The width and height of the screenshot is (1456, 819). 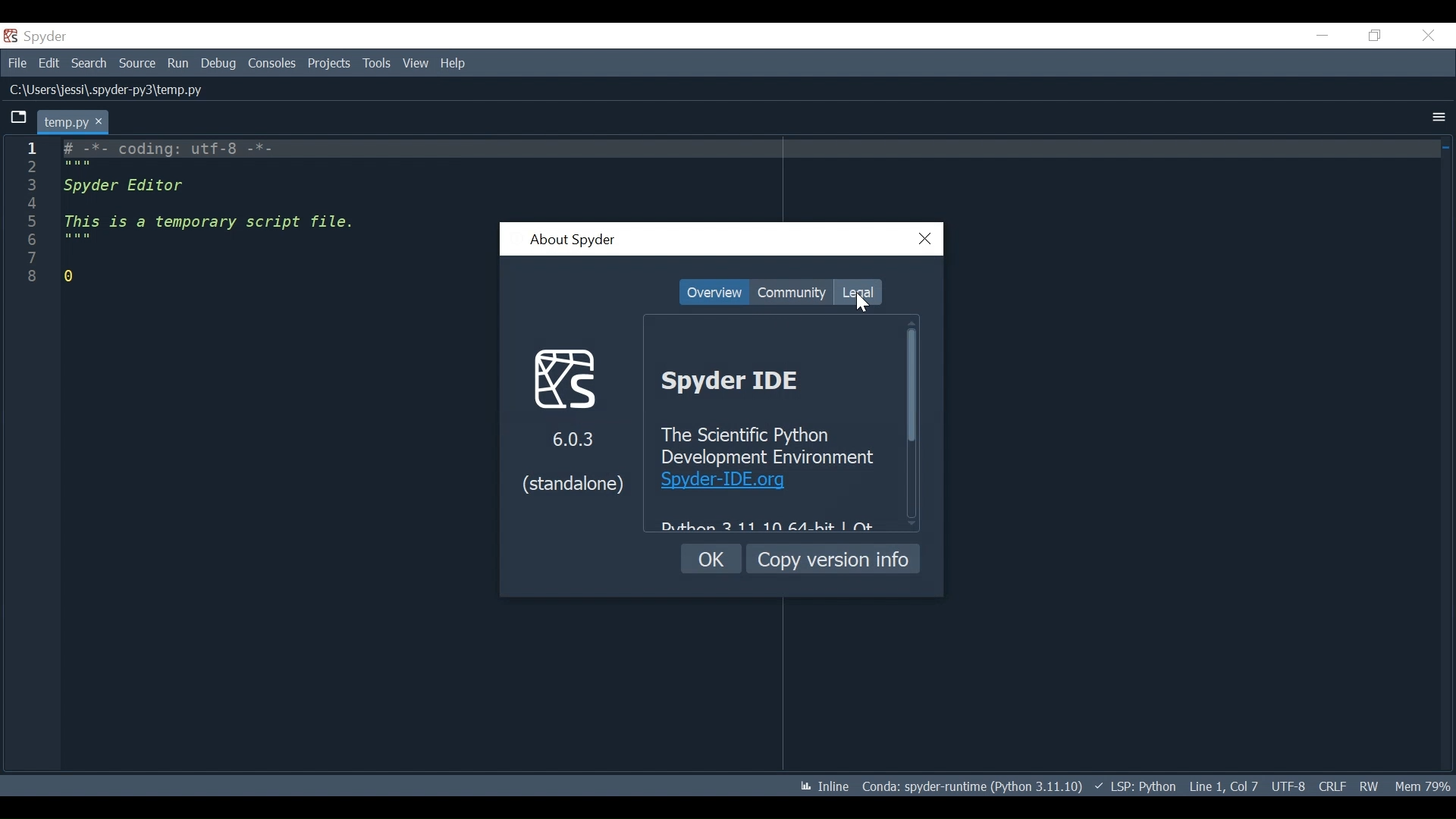 What do you see at coordinates (454, 64) in the screenshot?
I see `Help` at bounding box center [454, 64].